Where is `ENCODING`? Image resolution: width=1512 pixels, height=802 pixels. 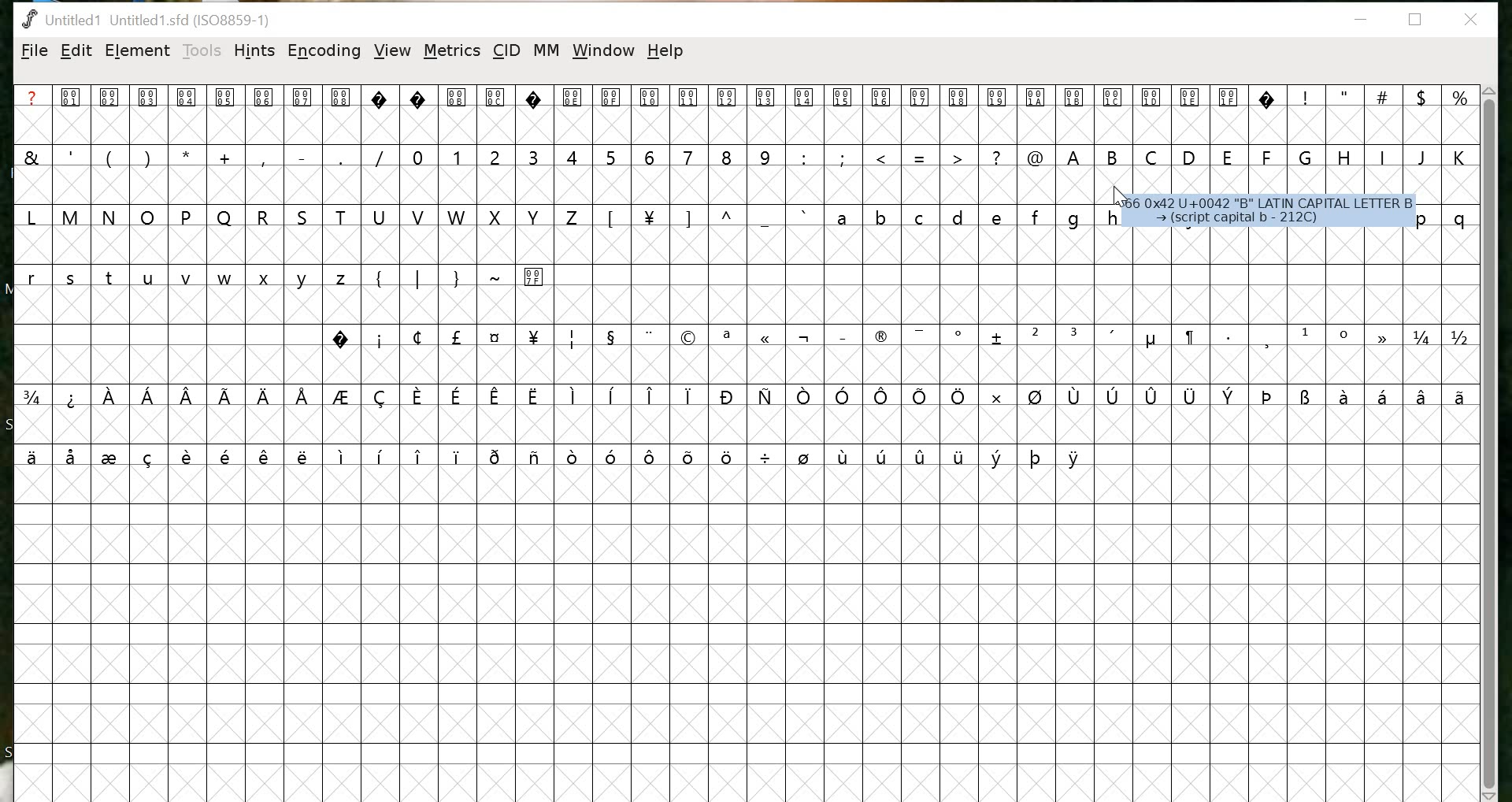
ENCODING is located at coordinates (324, 51).